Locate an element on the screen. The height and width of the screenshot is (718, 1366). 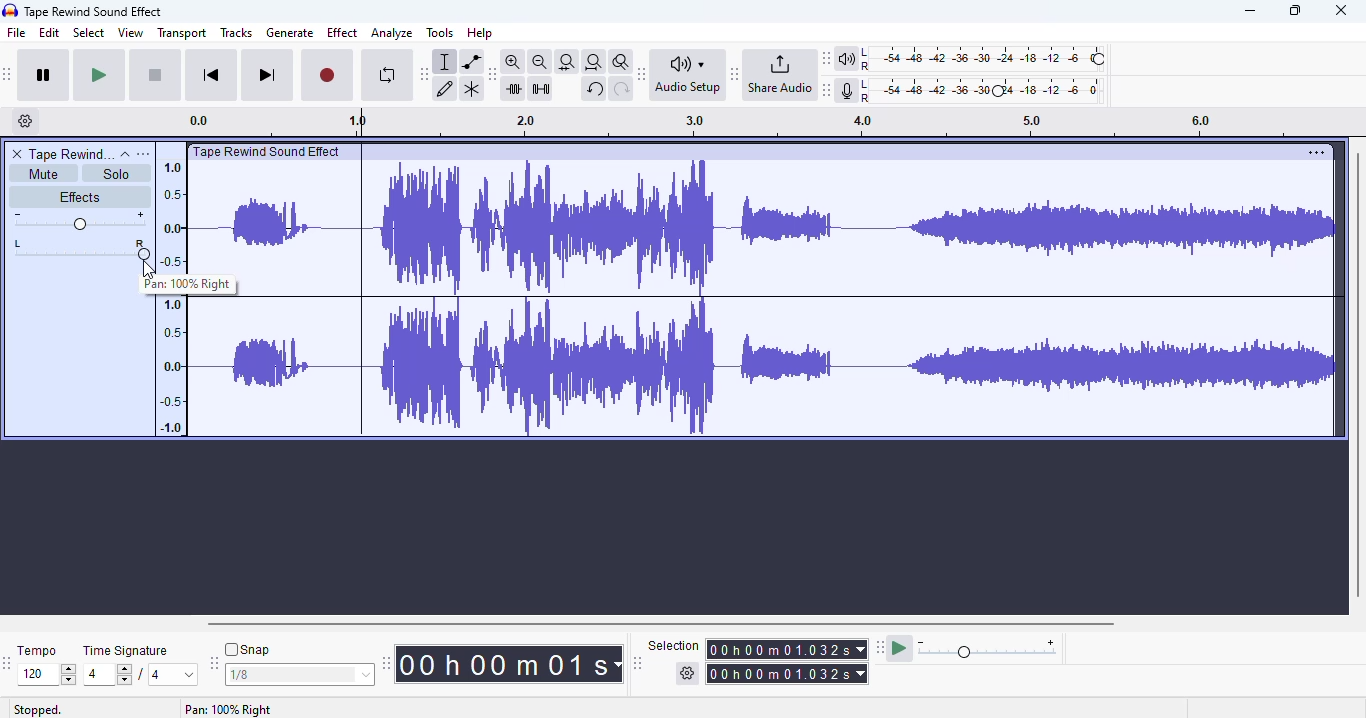
effects is located at coordinates (79, 196).